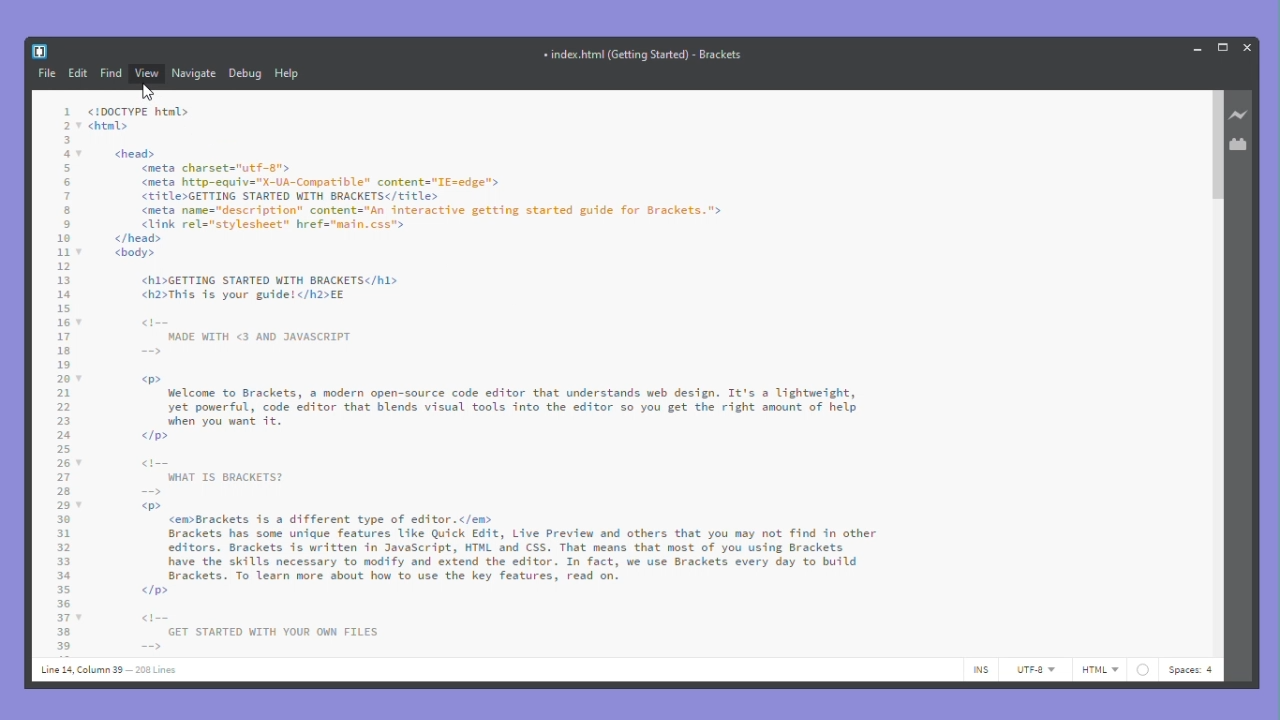 The height and width of the screenshot is (720, 1280). Describe the element at coordinates (271, 288) in the screenshot. I see `<h1>GETTING STARTED WITH BRACKETS</h1>
<h2>This is your guide! </h2>EE` at that location.